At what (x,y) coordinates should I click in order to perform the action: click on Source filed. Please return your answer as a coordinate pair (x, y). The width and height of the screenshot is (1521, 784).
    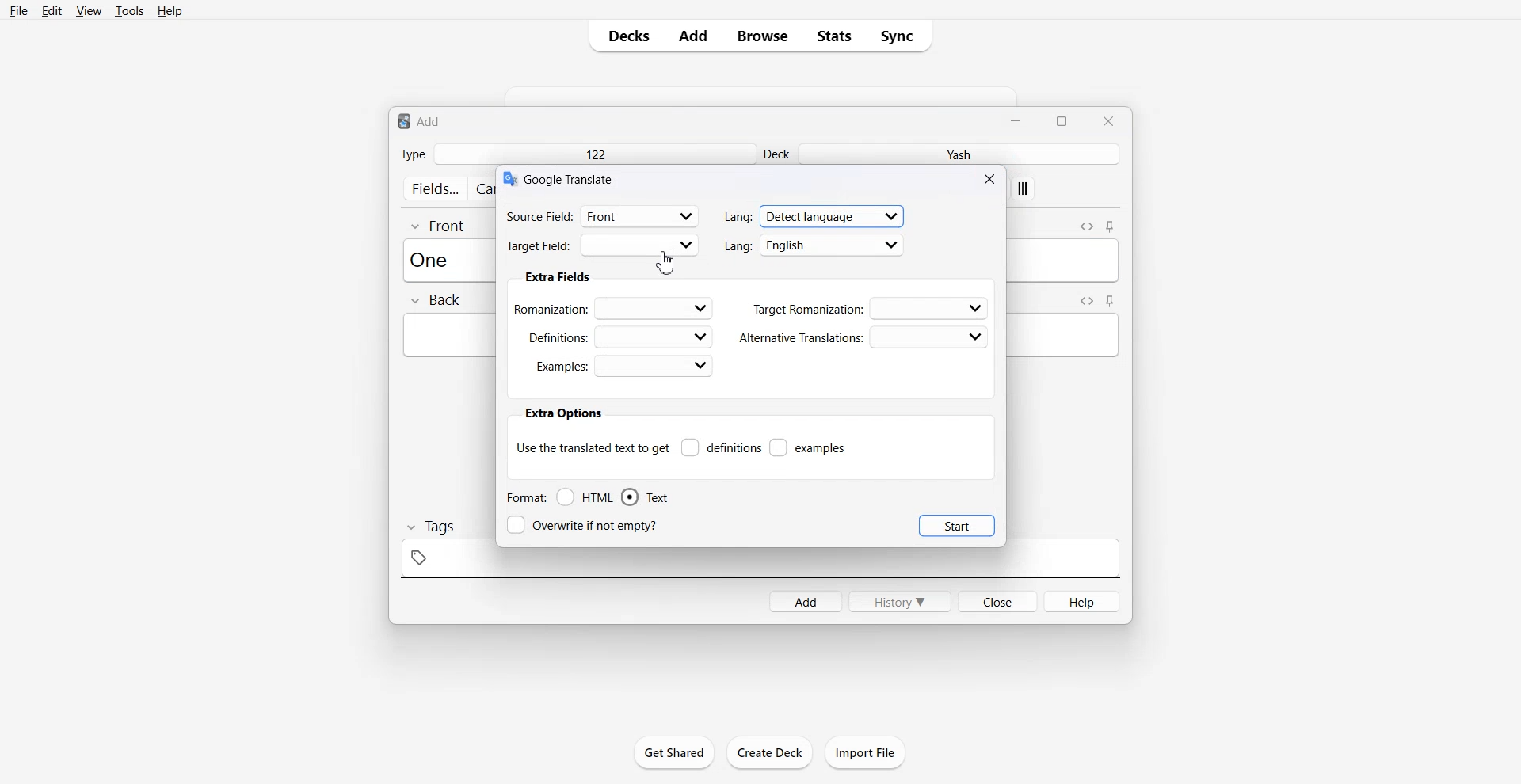
    Looking at the image, I should click on (603, 215).